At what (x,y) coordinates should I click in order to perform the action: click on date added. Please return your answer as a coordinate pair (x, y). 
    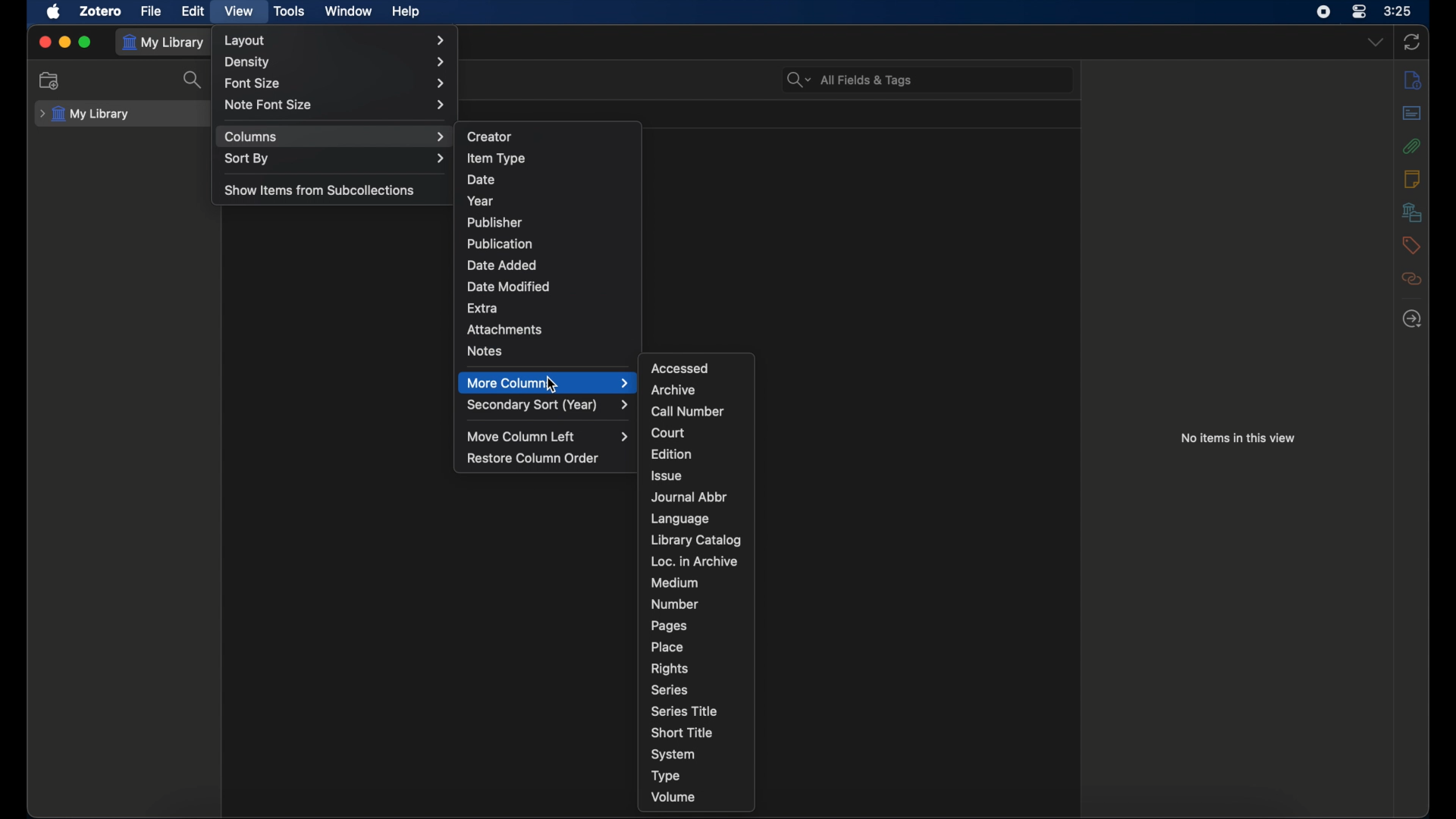
    Looking at the image, I should click on (502, 265).